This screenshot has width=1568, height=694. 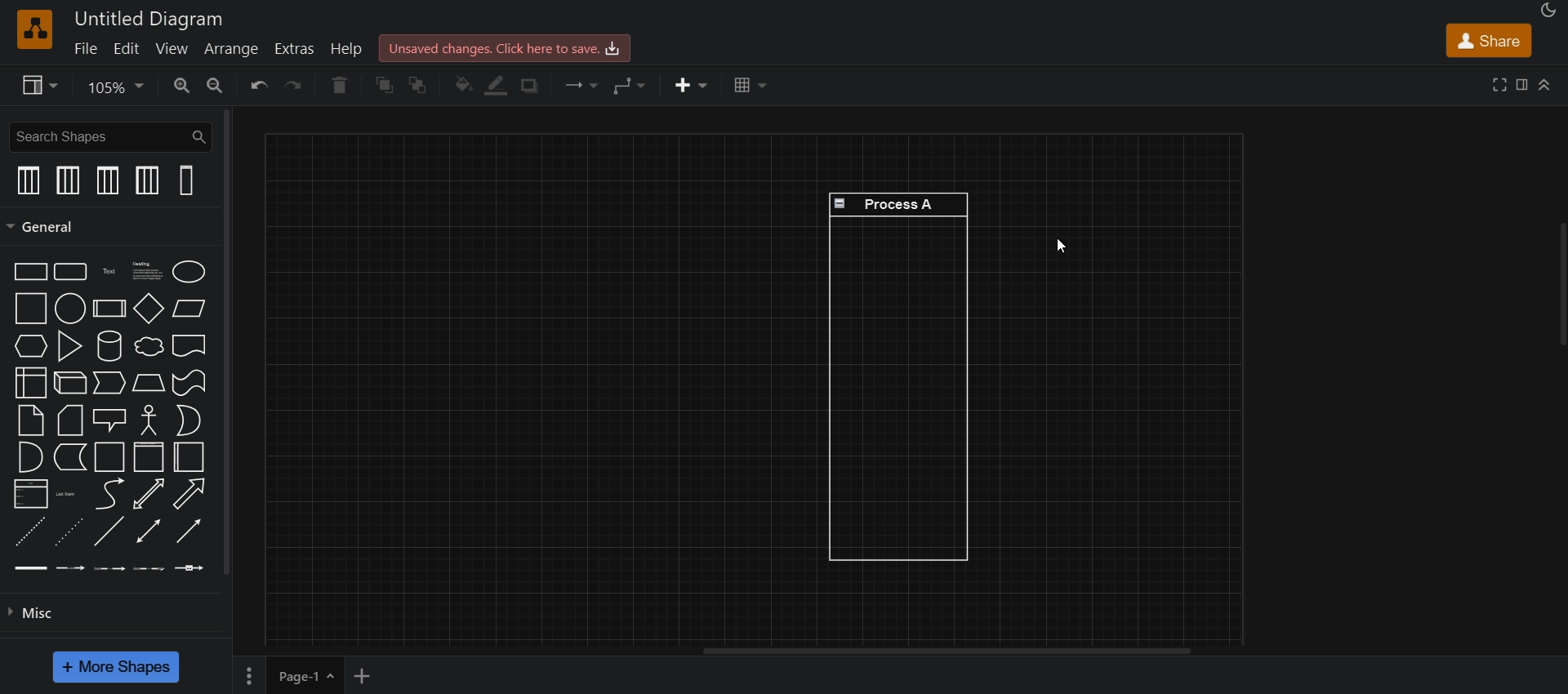 I want to click on square, so click(x=28, y=309).